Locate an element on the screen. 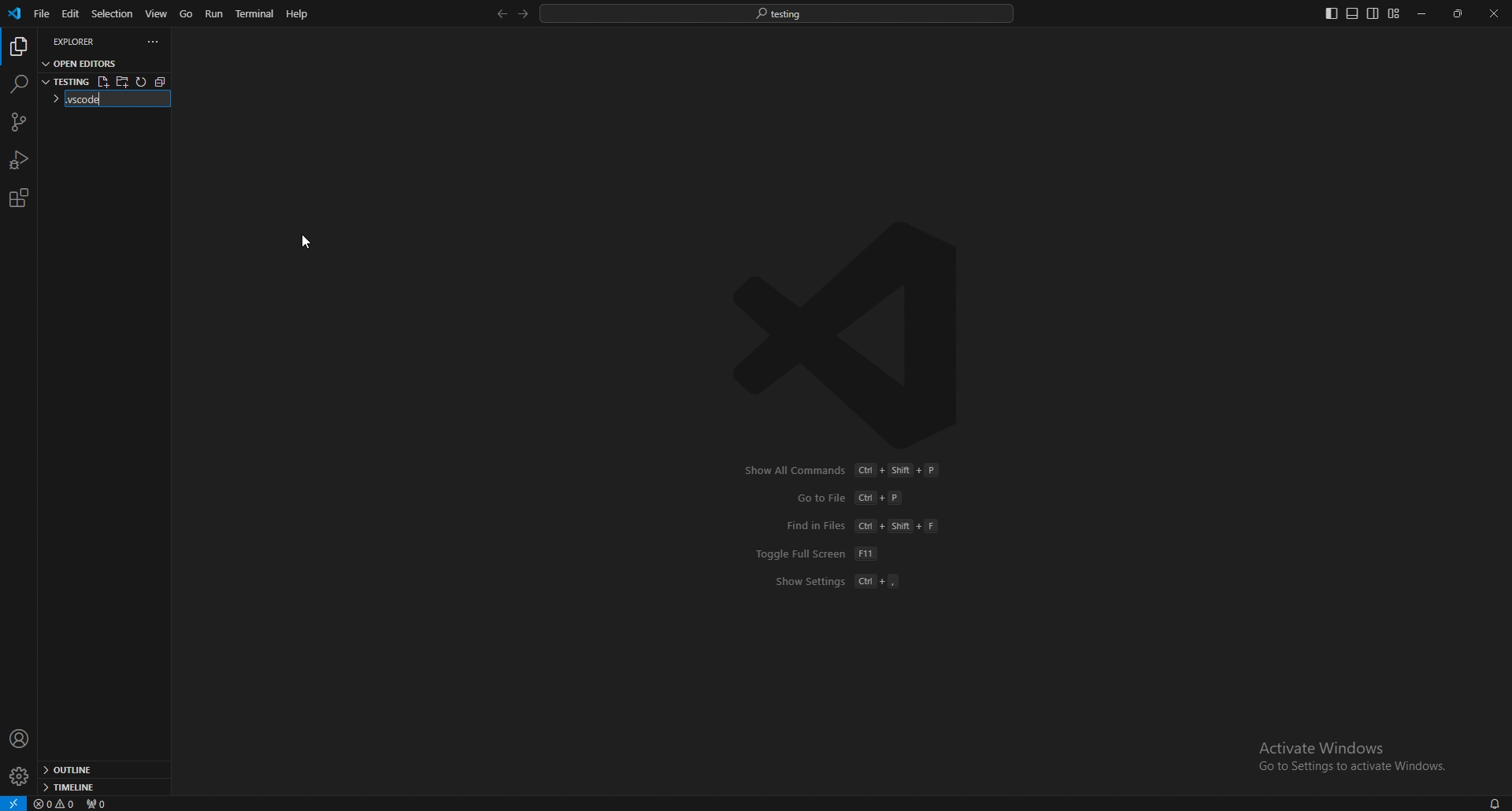 Image resolution: width=1512 pixels, height=811 pixels. go is located at coordinates (187, 14).